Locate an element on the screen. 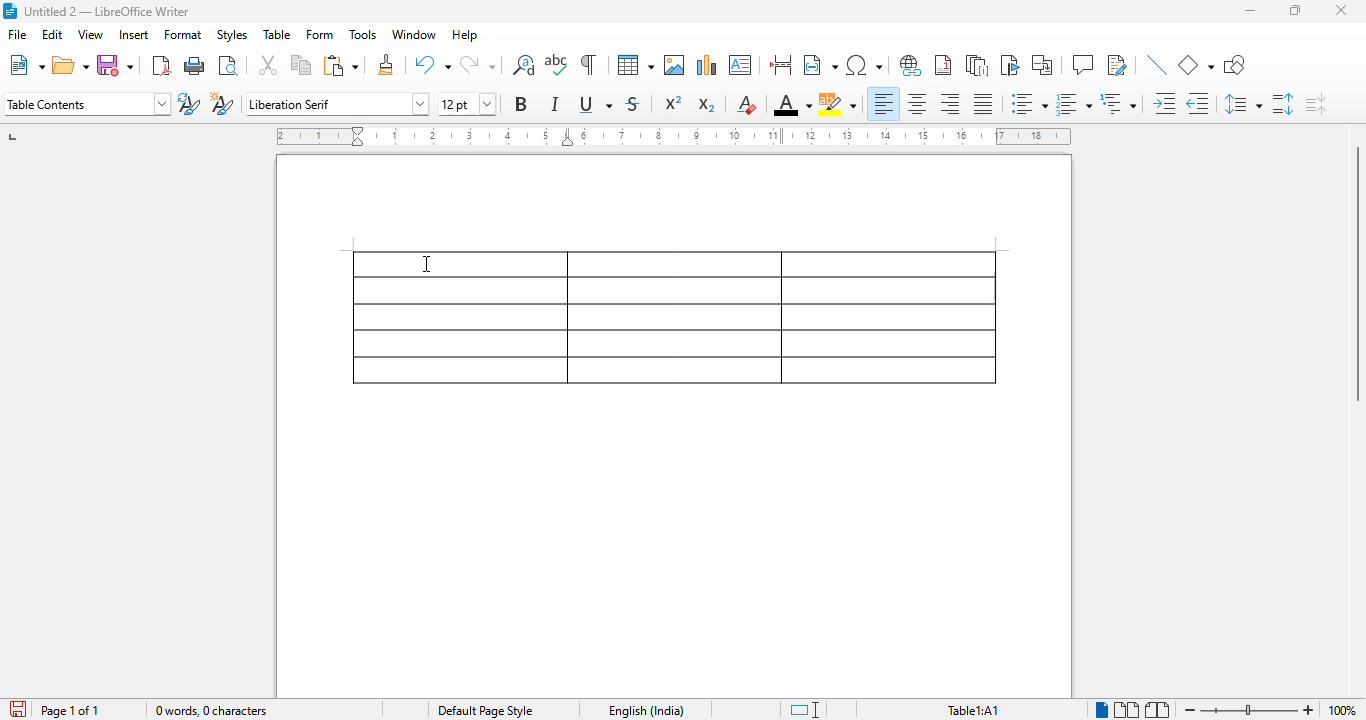  zoom factor is located at coordinates (1342, 710).